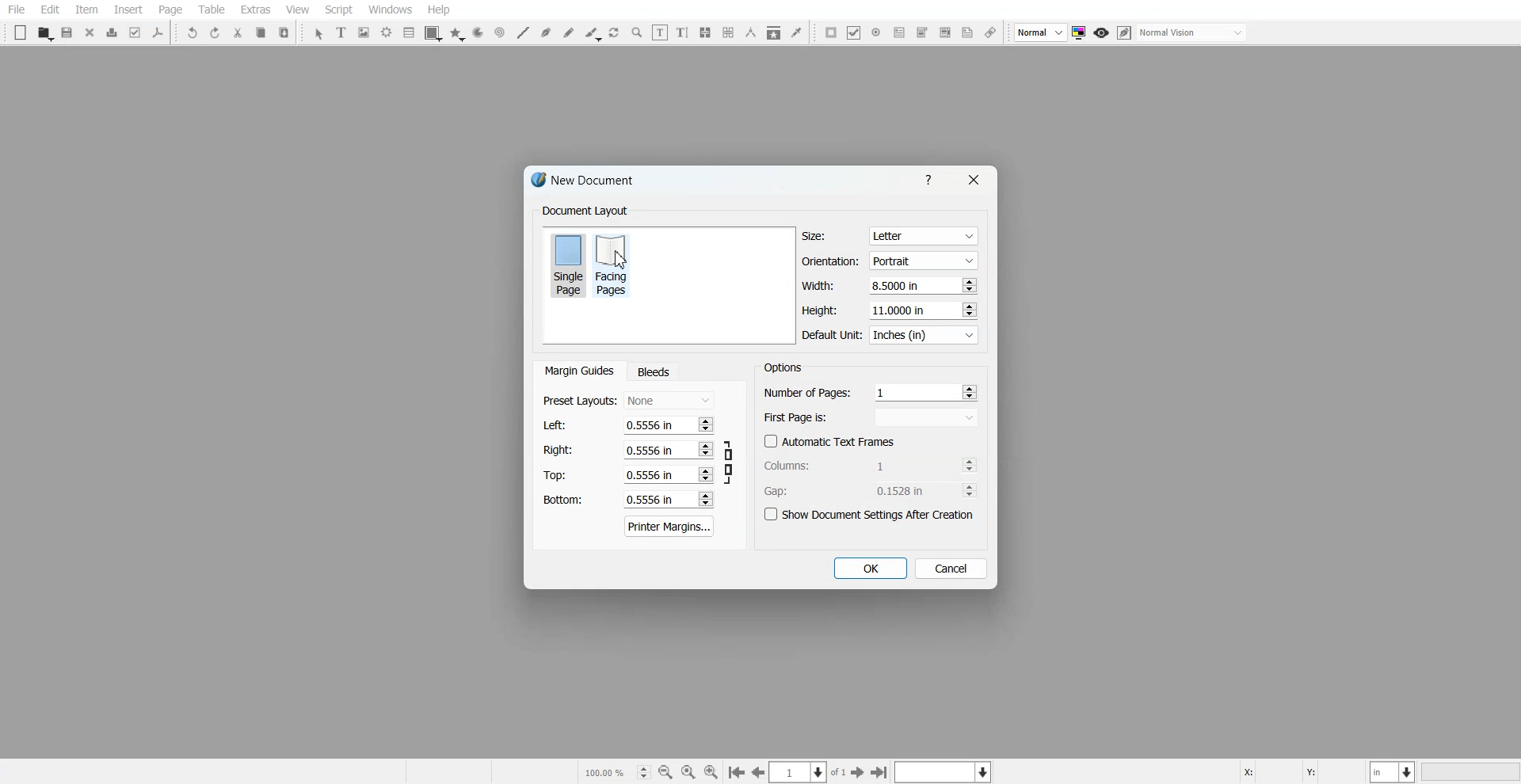  Describe the element at coordinates (438, 10) in the screenshot. I see `Help` at that location.